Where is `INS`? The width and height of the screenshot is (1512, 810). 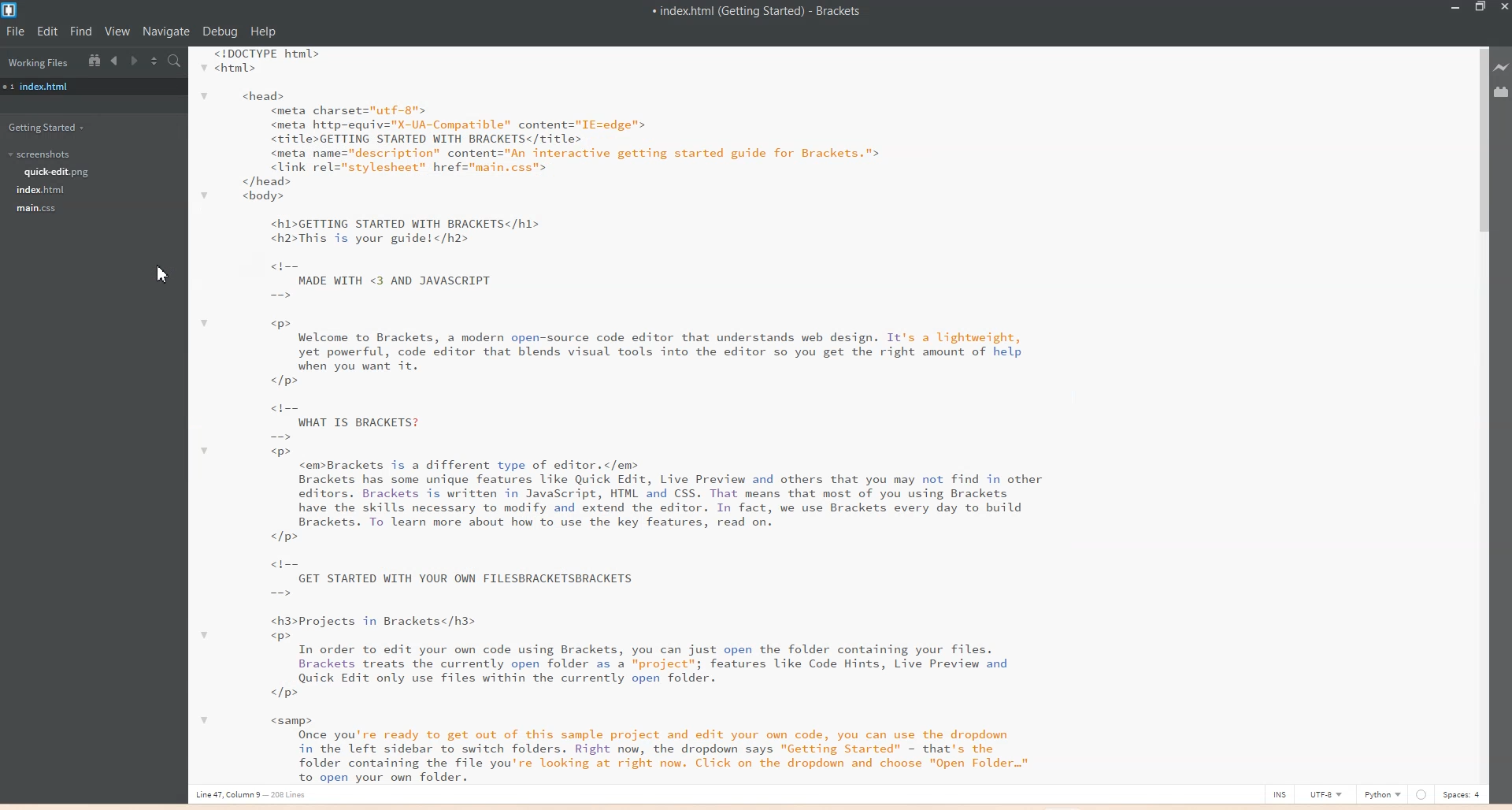 INS is located at coordinates (1280, 793).